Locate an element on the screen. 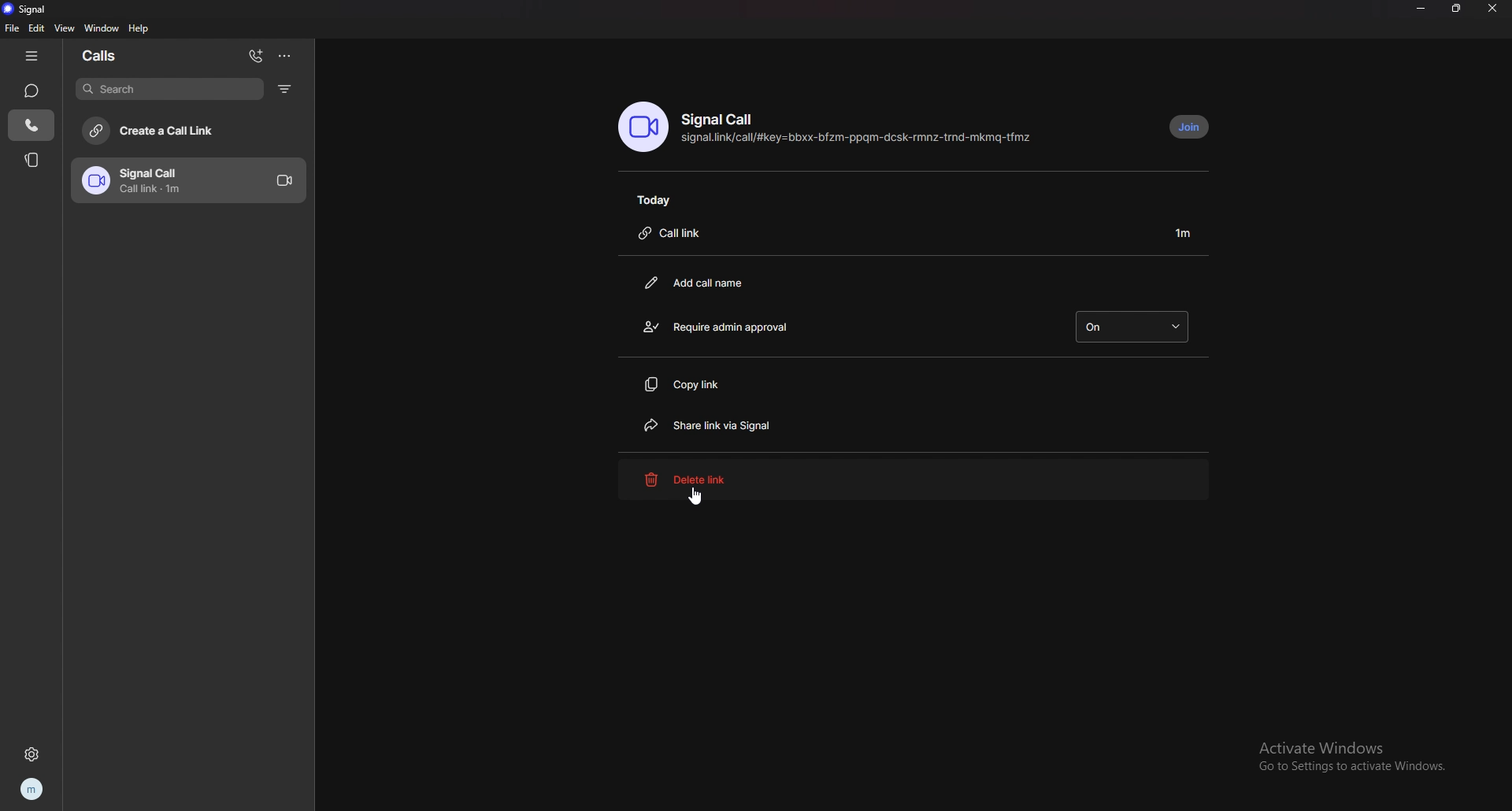  delete link is located at coordinates (916, 480).